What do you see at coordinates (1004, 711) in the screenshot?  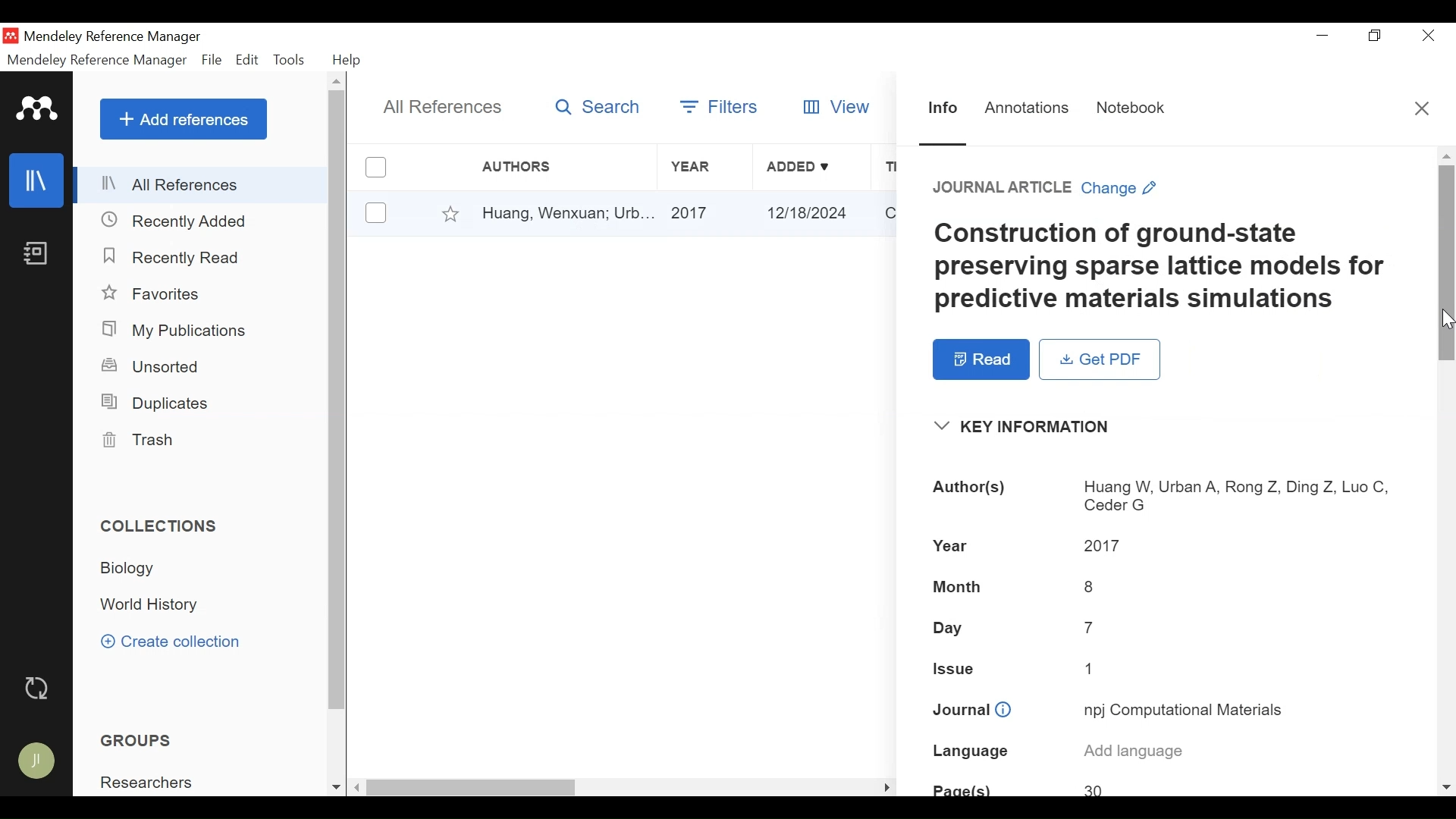 I see `info icon` at bounding box center [1004, 711].